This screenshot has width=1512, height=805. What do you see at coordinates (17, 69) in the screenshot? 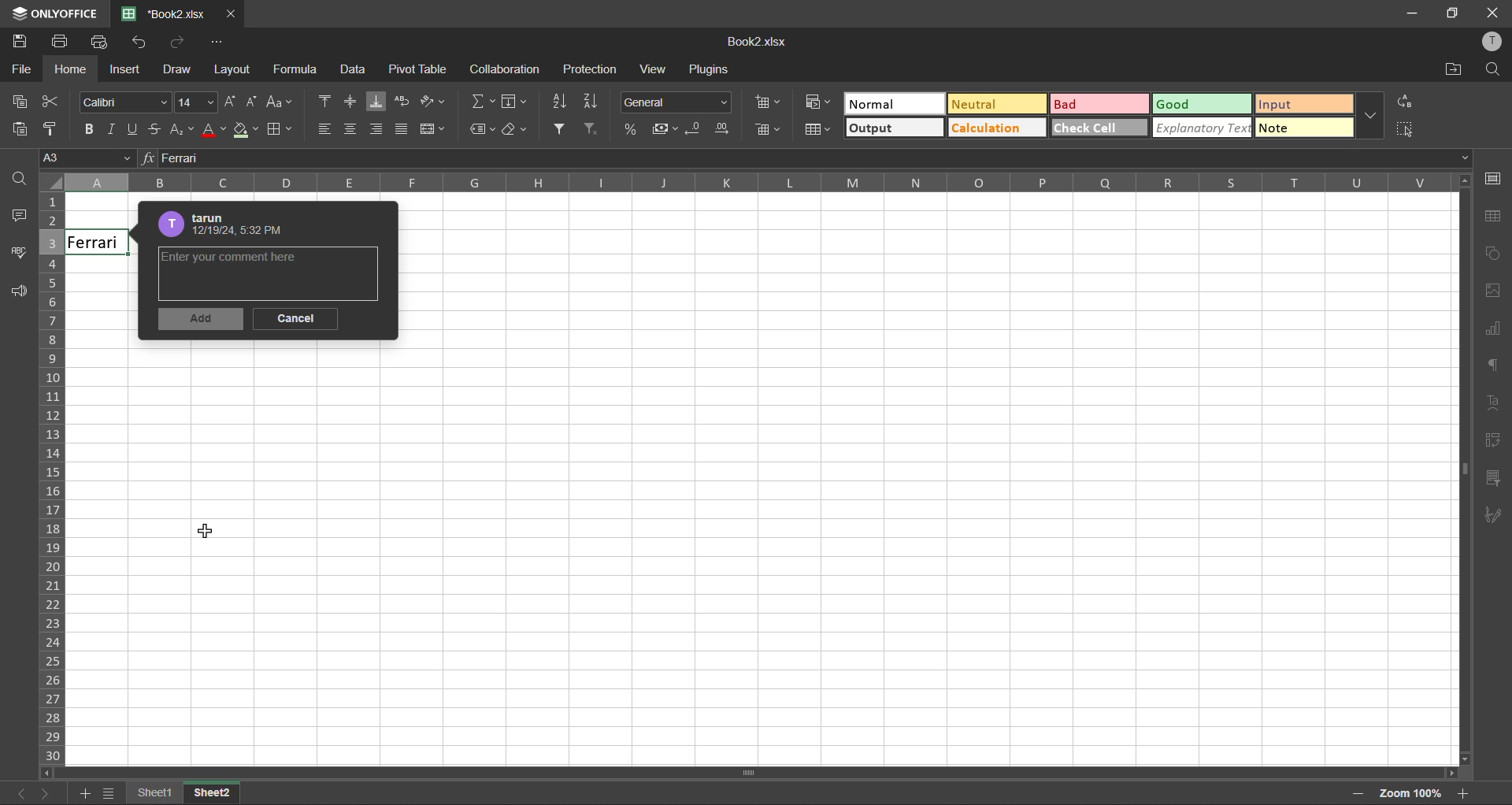
I see `file` at bounding box center [17, 69].